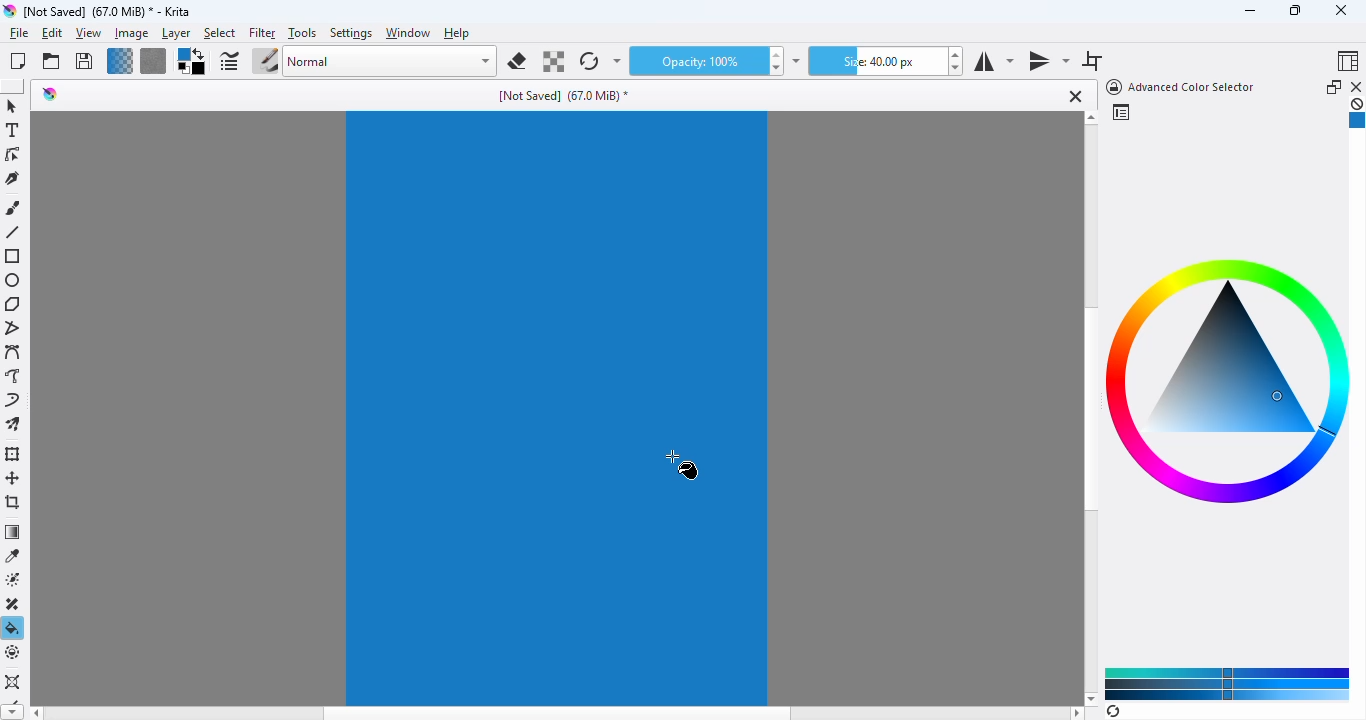 The width and height of the screenshot is (1366, 720). I want to click on advanced color selector, so click(1178, 87).